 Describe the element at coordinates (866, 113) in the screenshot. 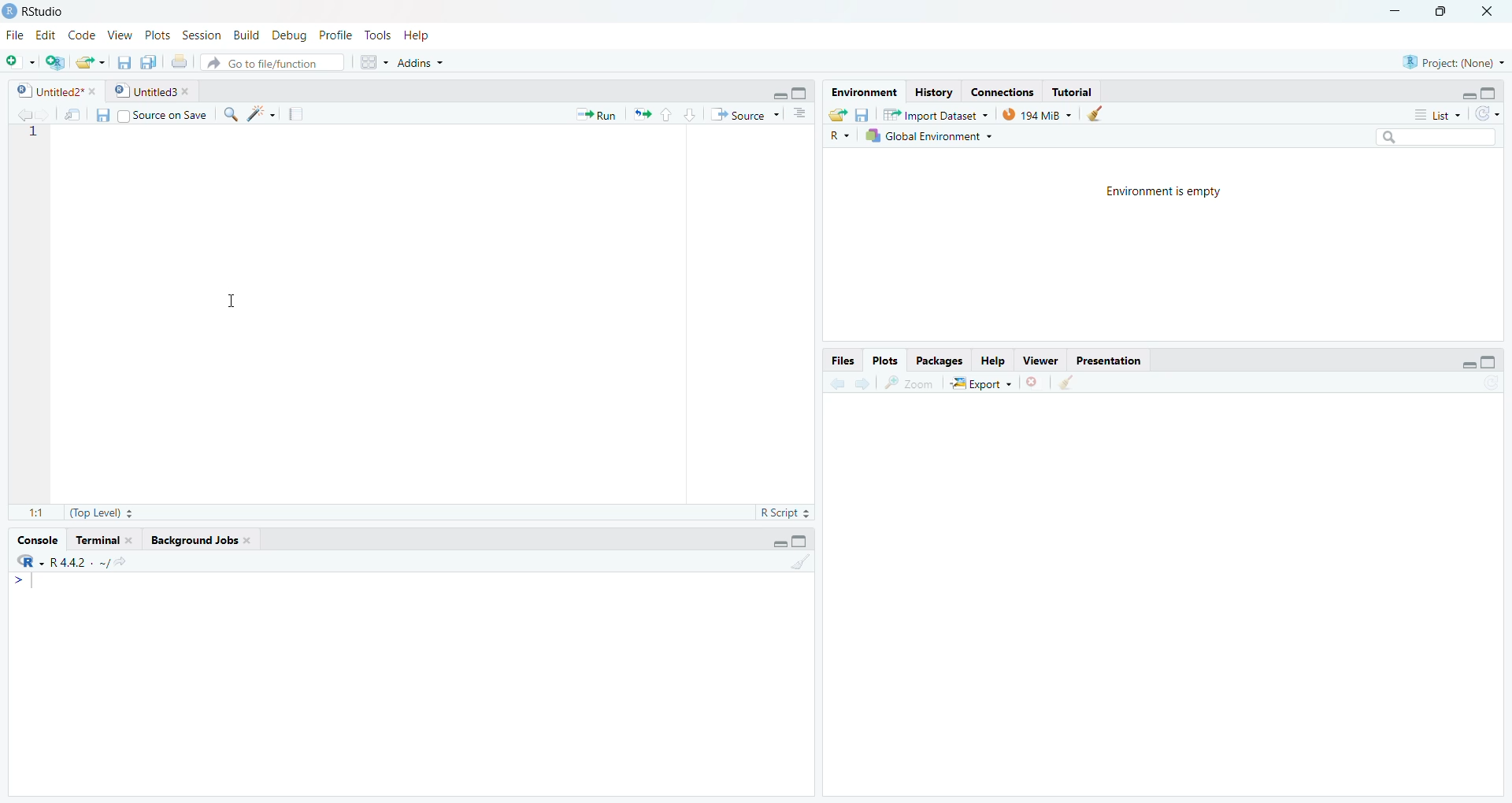

I see `Save workspace` at that location.